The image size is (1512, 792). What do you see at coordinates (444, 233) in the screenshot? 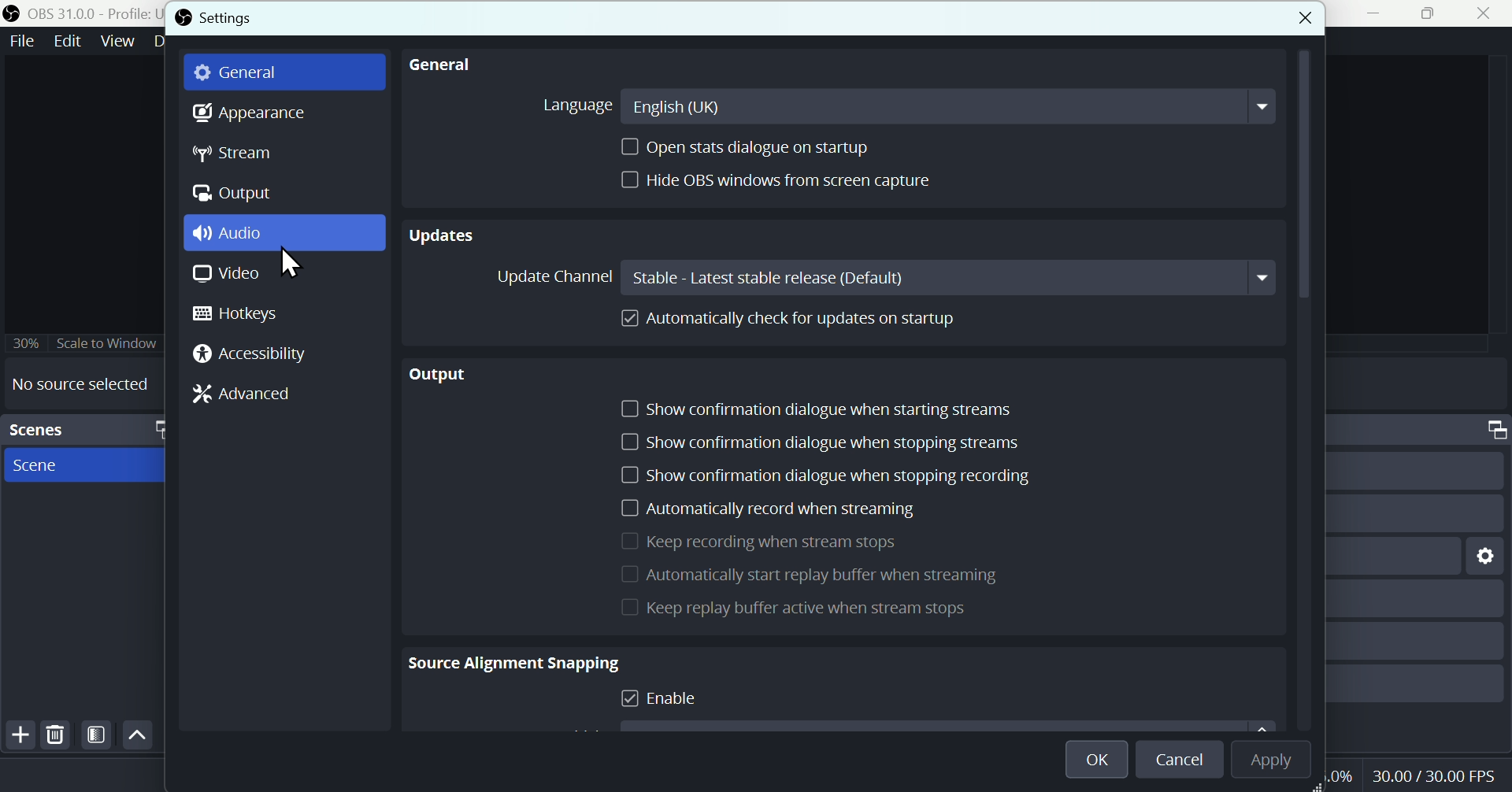
I see `Updates` at bounding box center [444, 233].